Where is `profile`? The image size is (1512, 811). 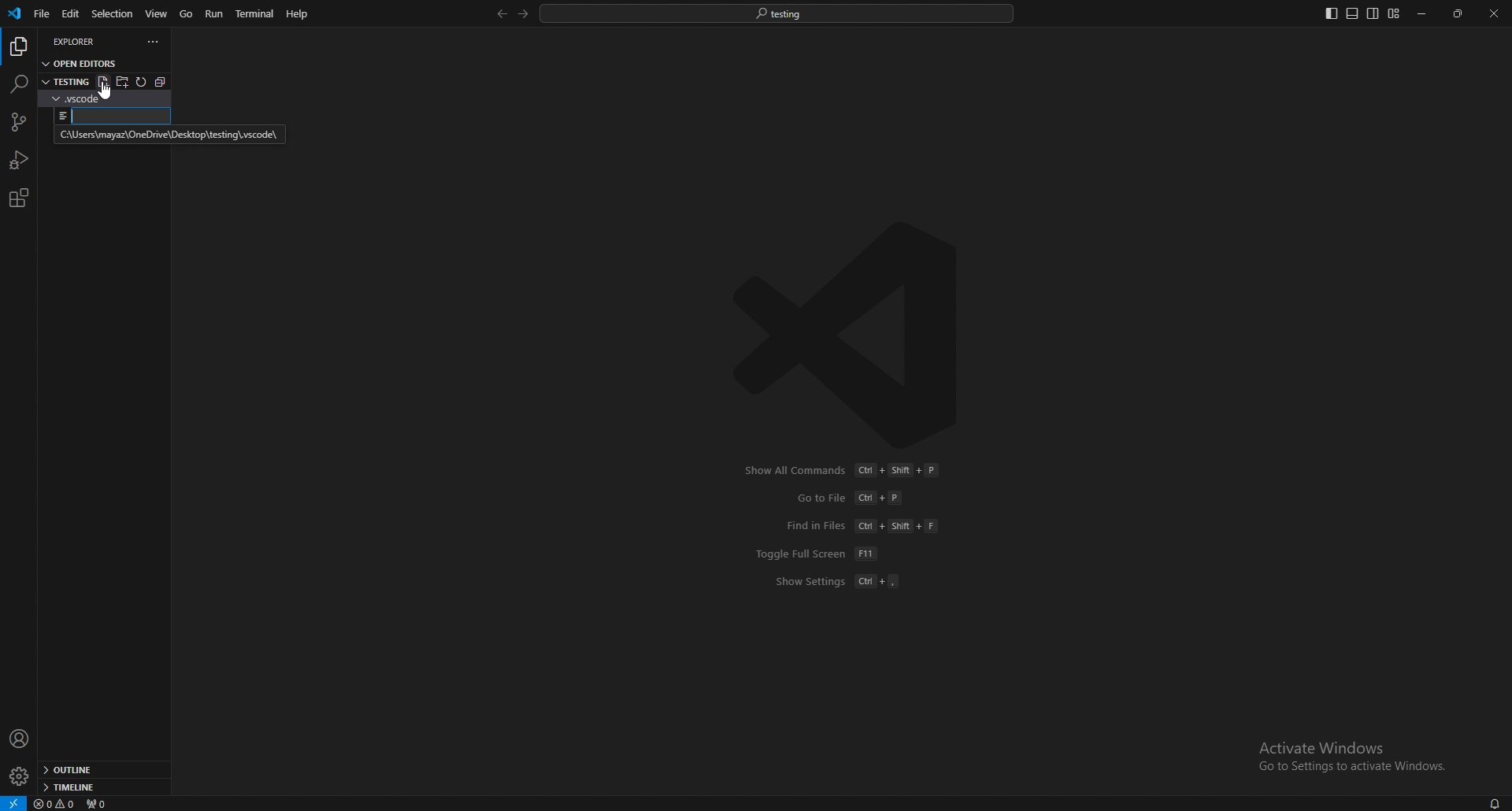 profile is located at coordinates (20, 739).